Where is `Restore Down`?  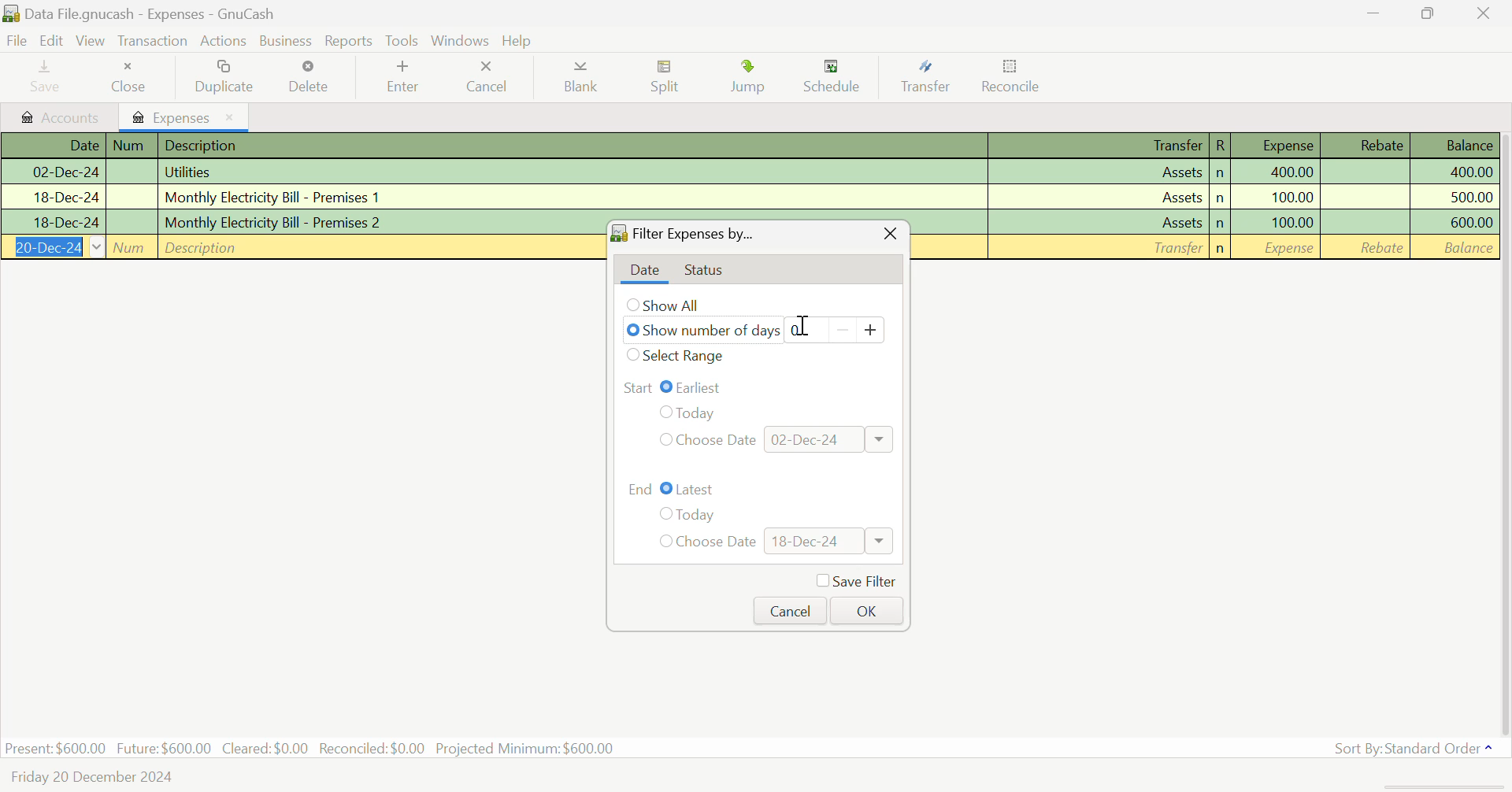
Restore Down is located at coordinates (1380, 13).